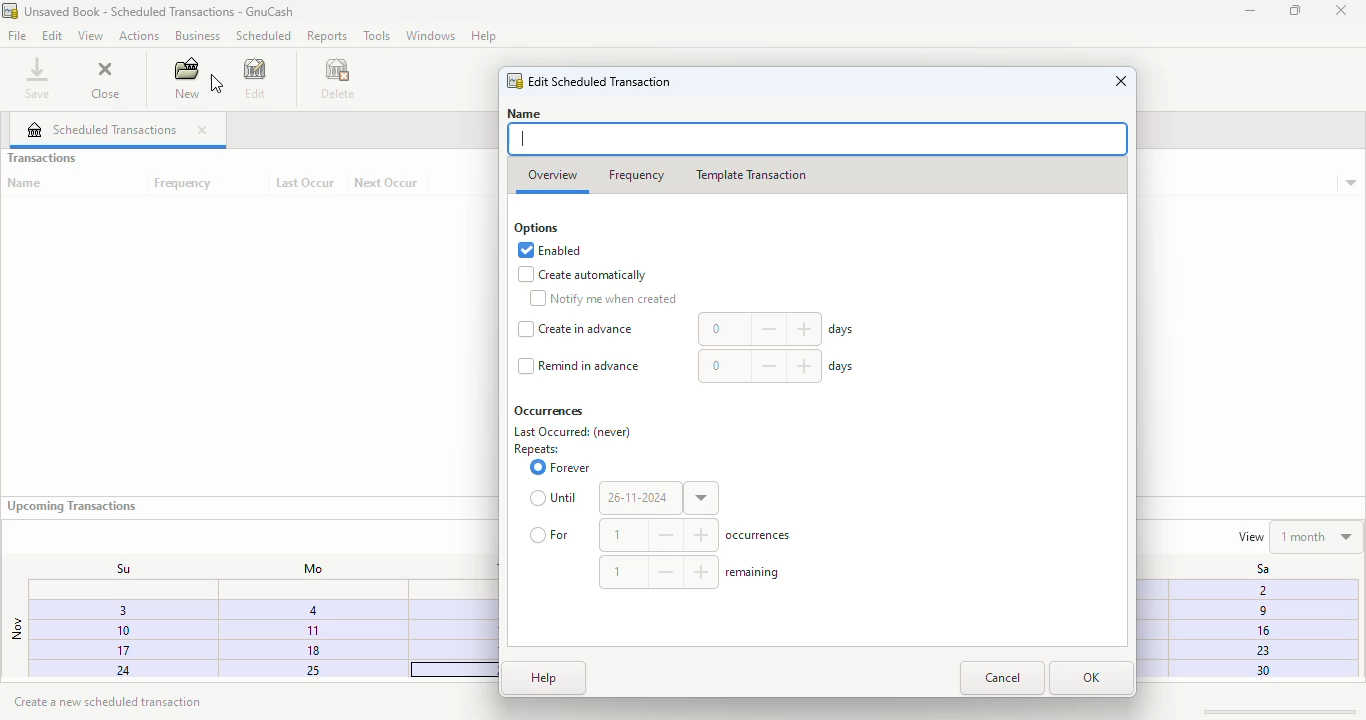 The width and height of the screenshot is (1366, 720). Describe the element at coordinates (777, 366) in the screenshot. I see `0 days` at that location.